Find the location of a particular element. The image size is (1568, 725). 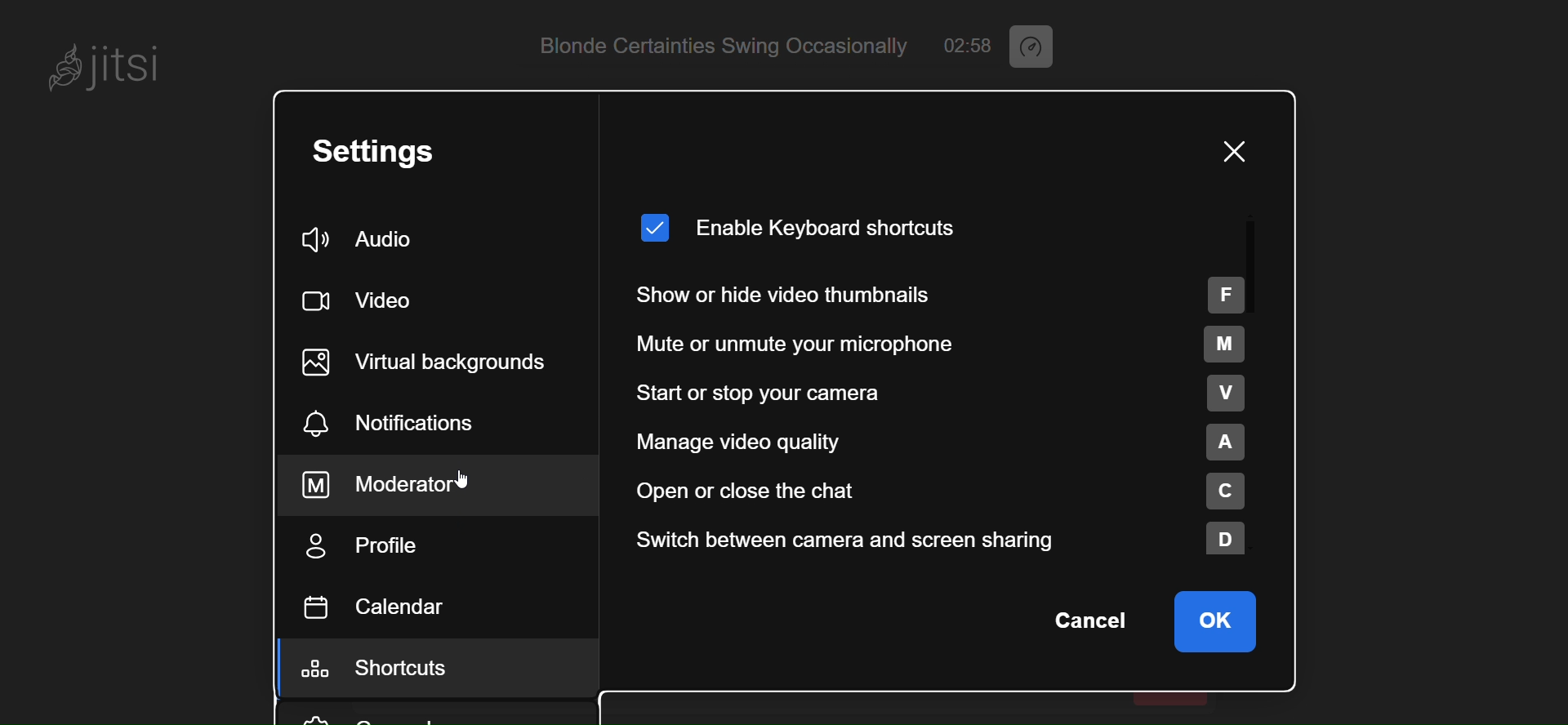

virtual background is located at coordinates (437, 362).